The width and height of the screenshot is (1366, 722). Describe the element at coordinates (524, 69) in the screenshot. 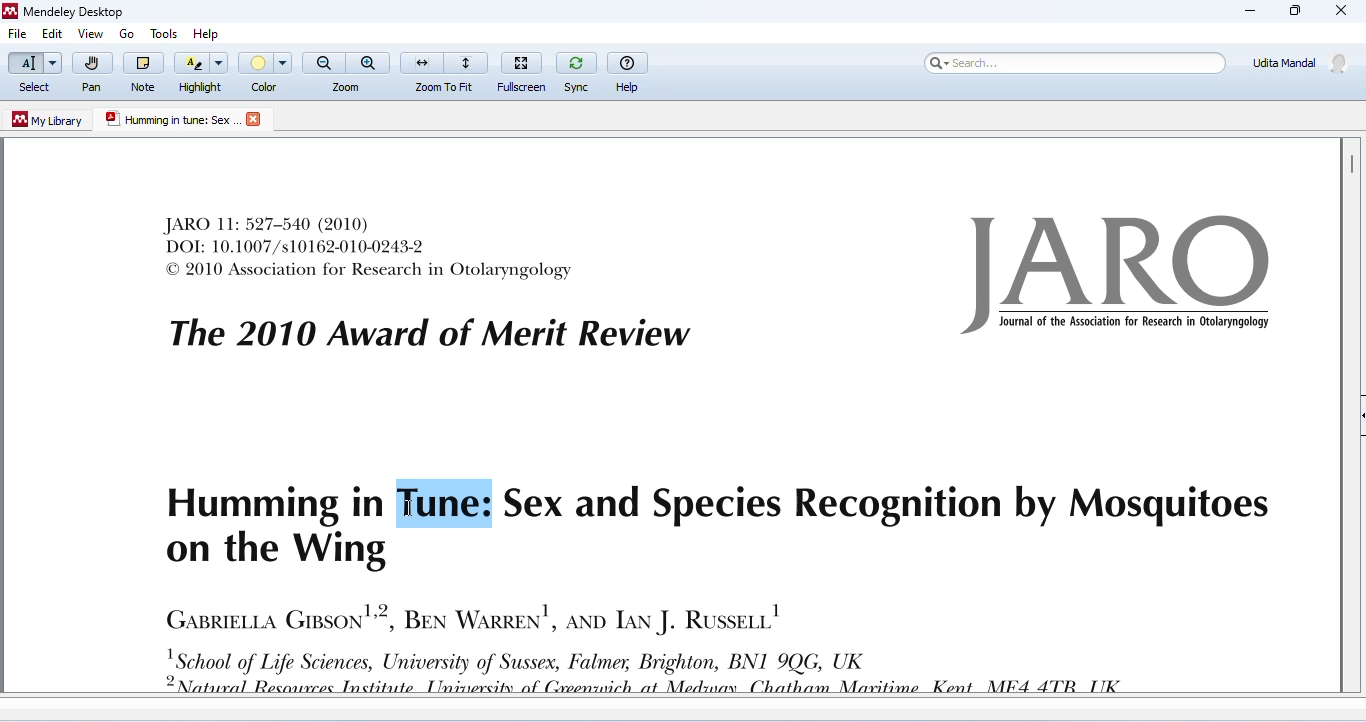

I see `fullscreen` at that location.